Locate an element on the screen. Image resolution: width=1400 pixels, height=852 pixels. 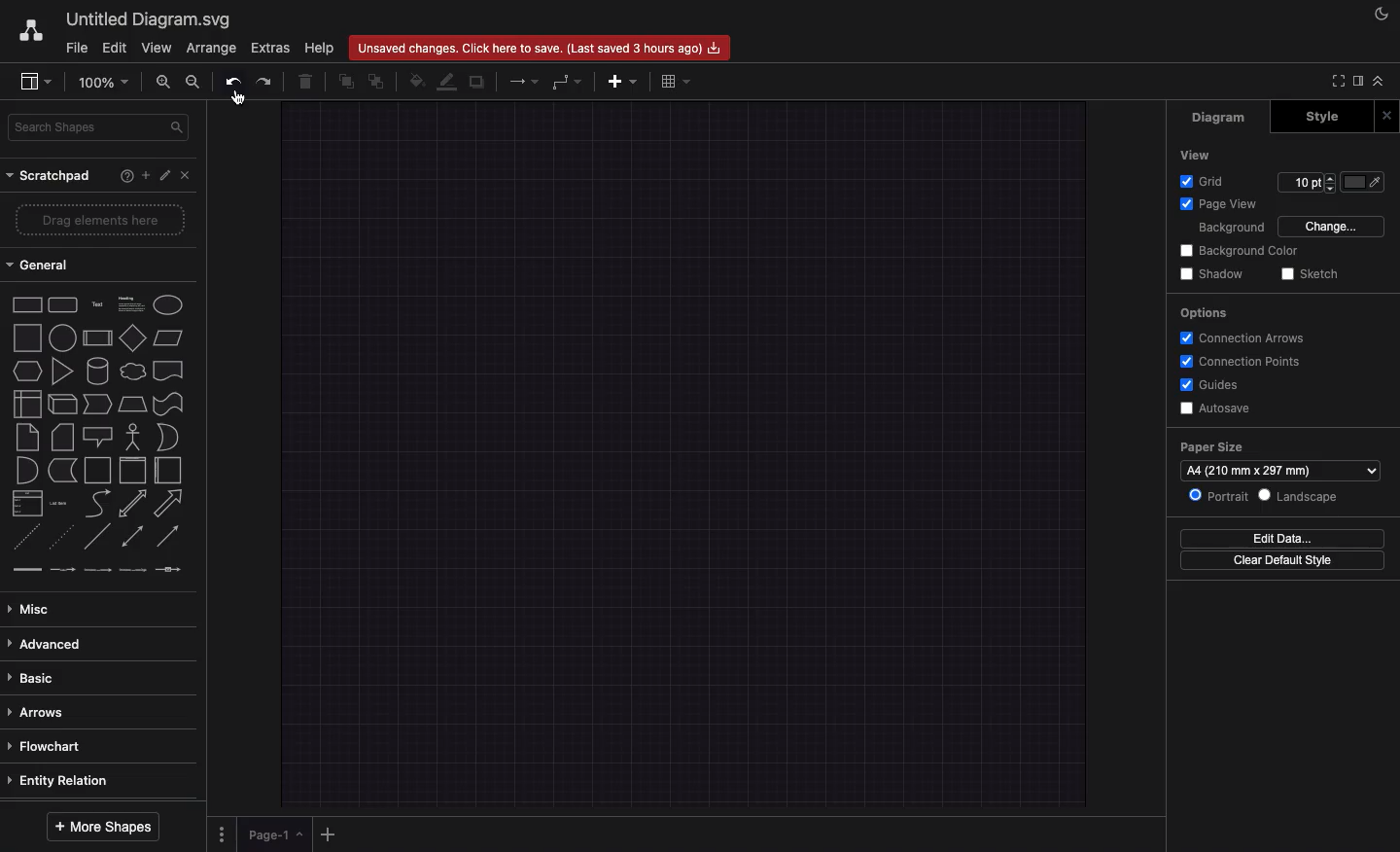
Connection points is located at coordinates (1242, 363).